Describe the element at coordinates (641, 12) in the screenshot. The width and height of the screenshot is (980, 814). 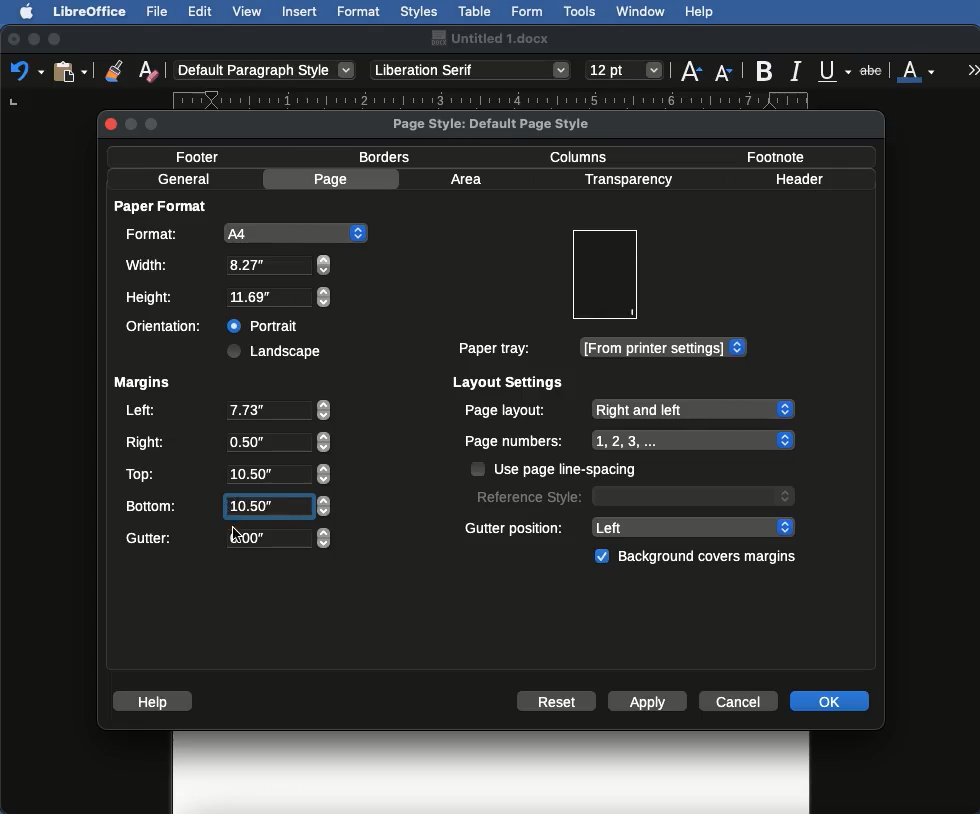
I see `Window` at that location.